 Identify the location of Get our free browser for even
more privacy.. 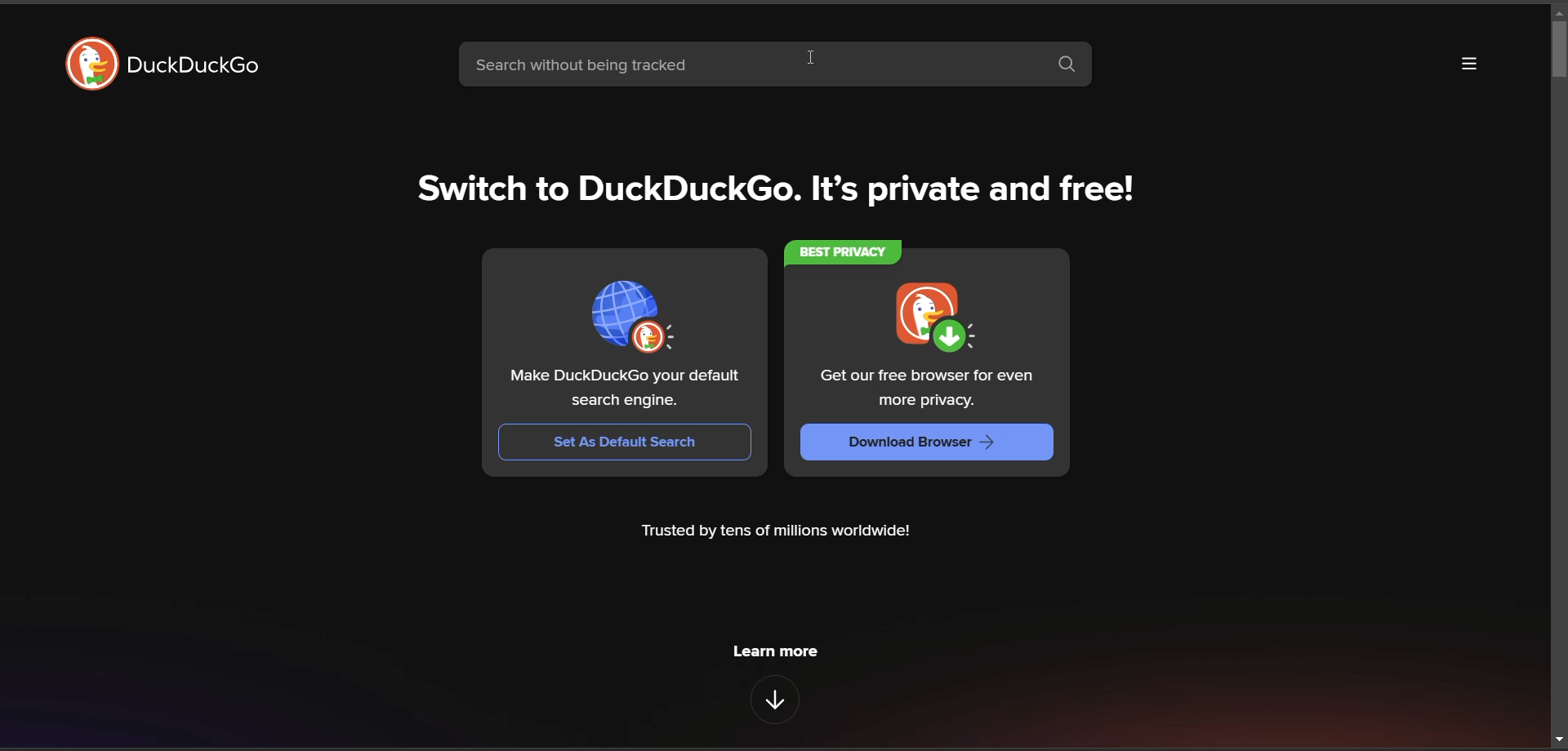
(931, 388).